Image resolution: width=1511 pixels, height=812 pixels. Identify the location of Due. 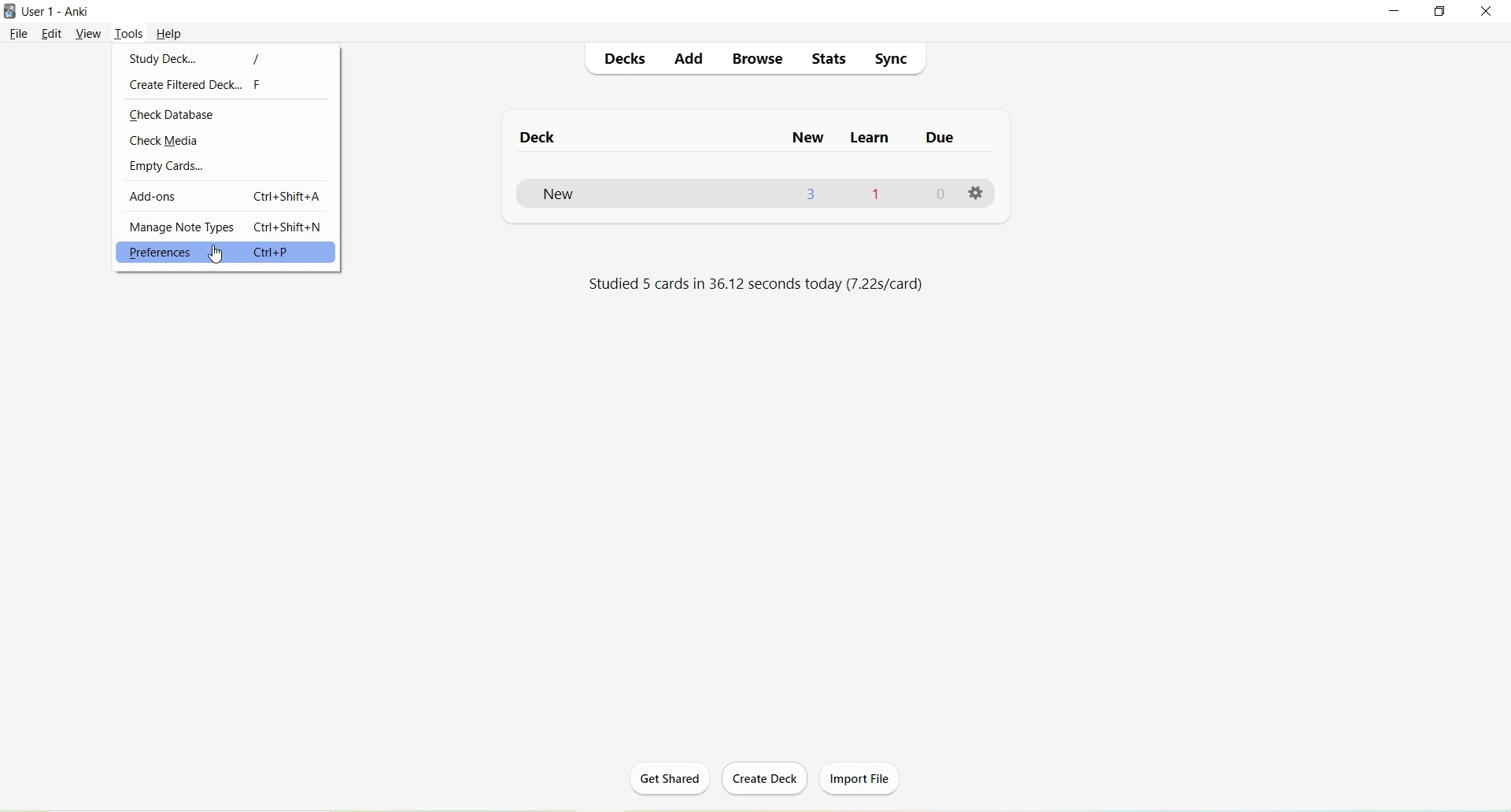
(940, 141).